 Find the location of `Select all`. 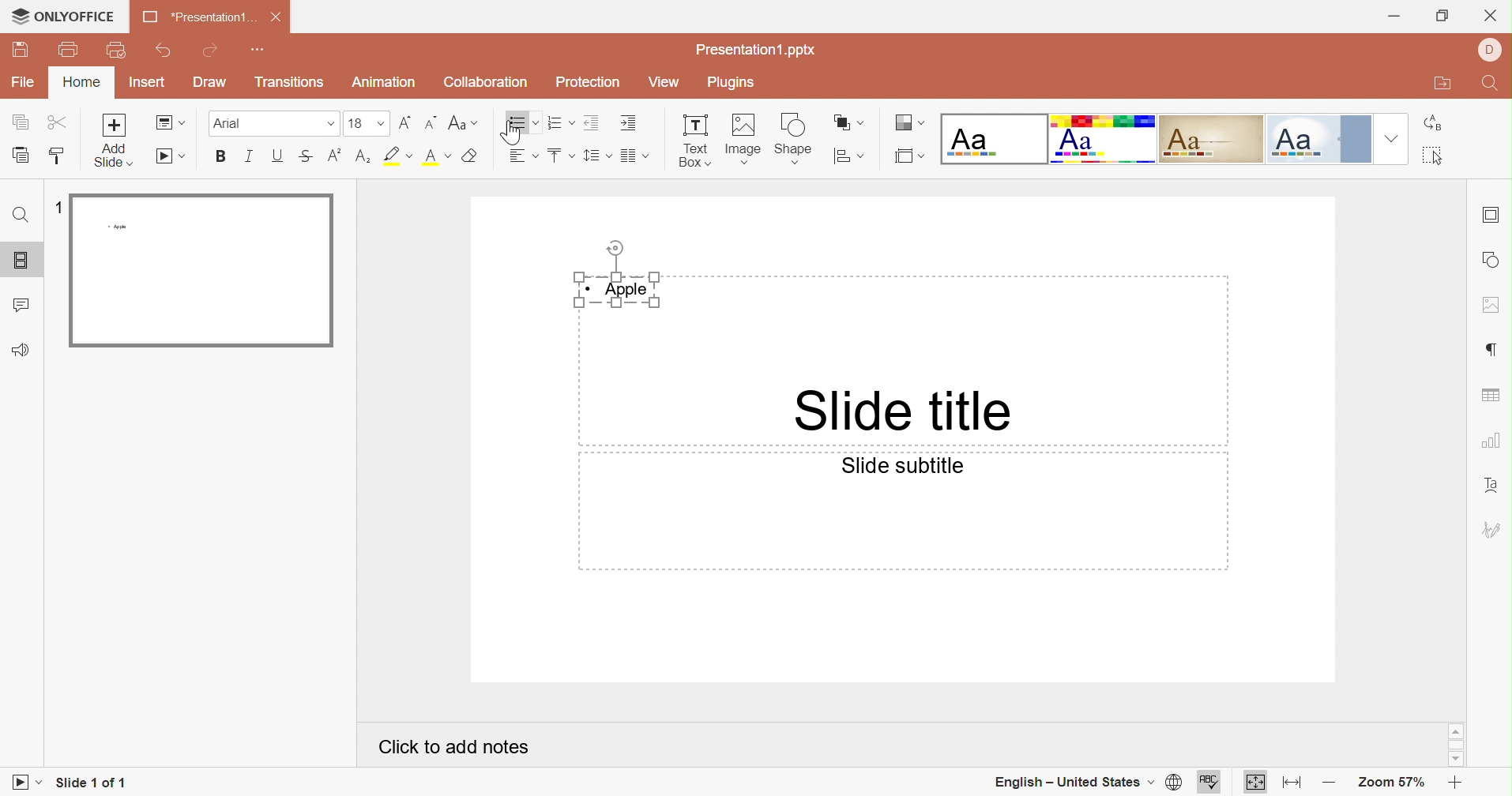

Select all is located at coordinates (1440, 159).